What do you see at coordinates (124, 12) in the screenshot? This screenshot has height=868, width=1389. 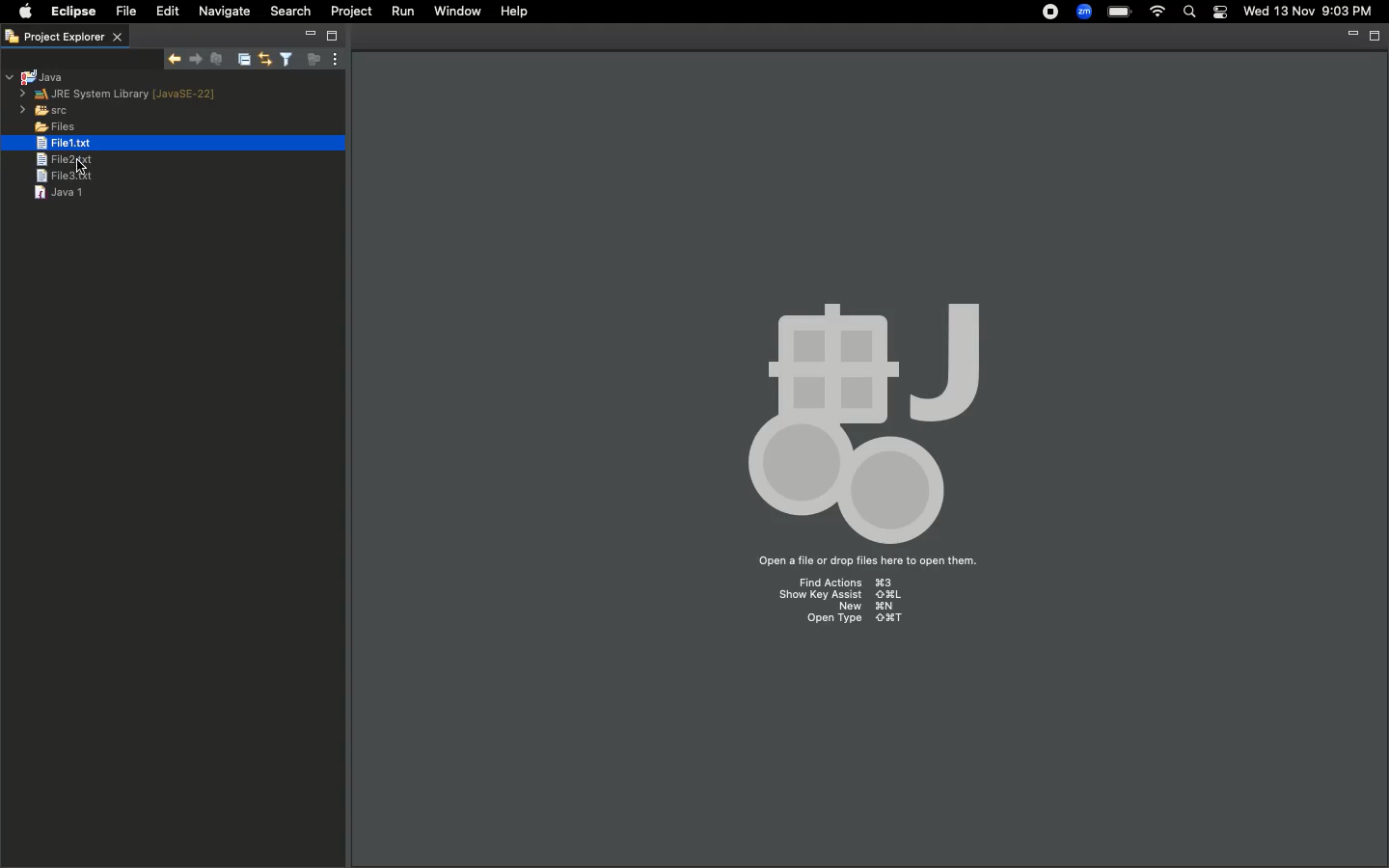 I see `File` at bounding box center [124, 12].